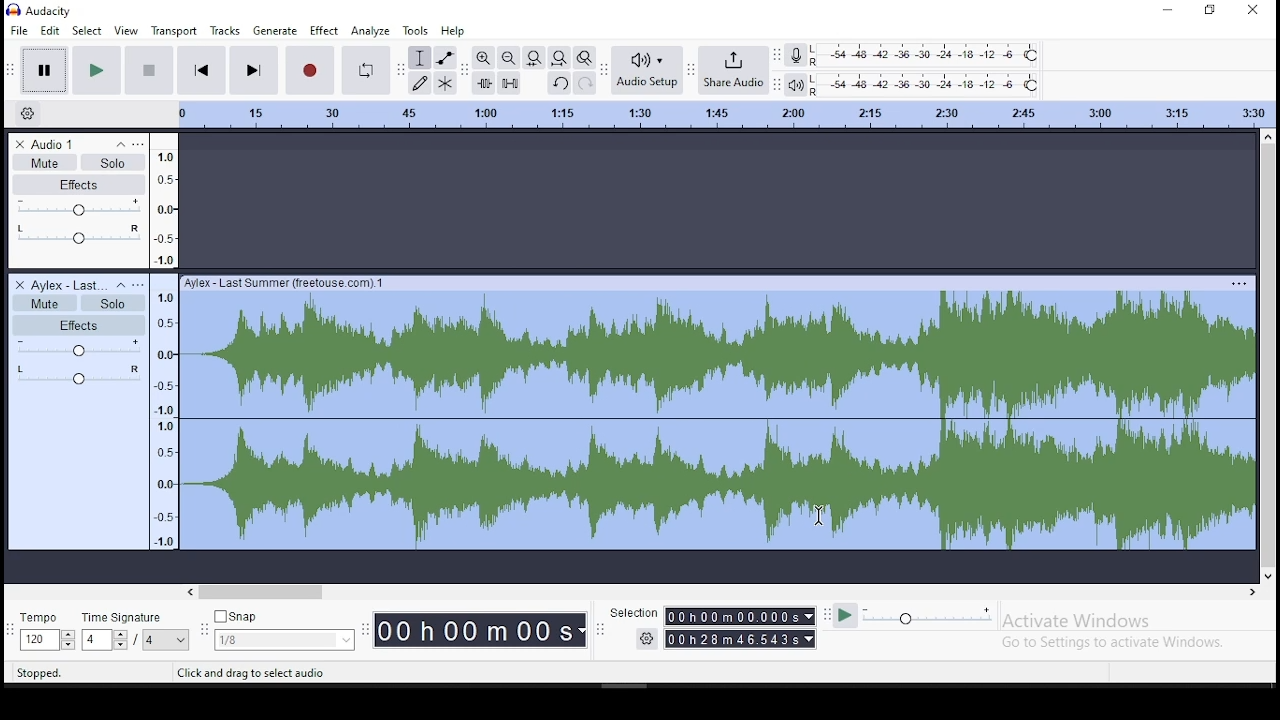 The height and width of the screenshot is (720, 1280). I want to click on play, so click(98, 72).